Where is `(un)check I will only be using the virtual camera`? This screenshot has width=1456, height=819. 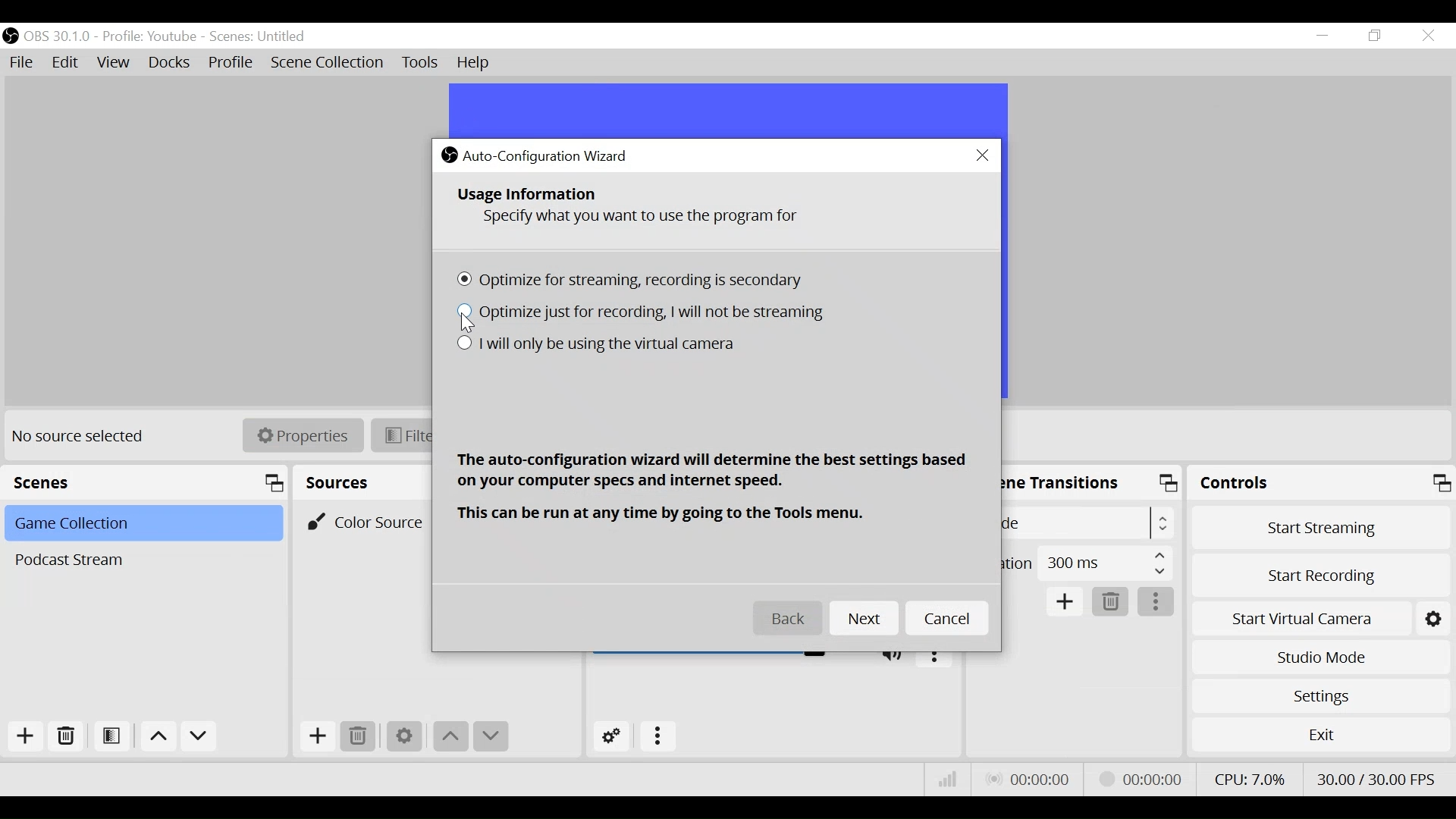
(un)check I will only be using the virtual camera is located at coordinates (595, 346).